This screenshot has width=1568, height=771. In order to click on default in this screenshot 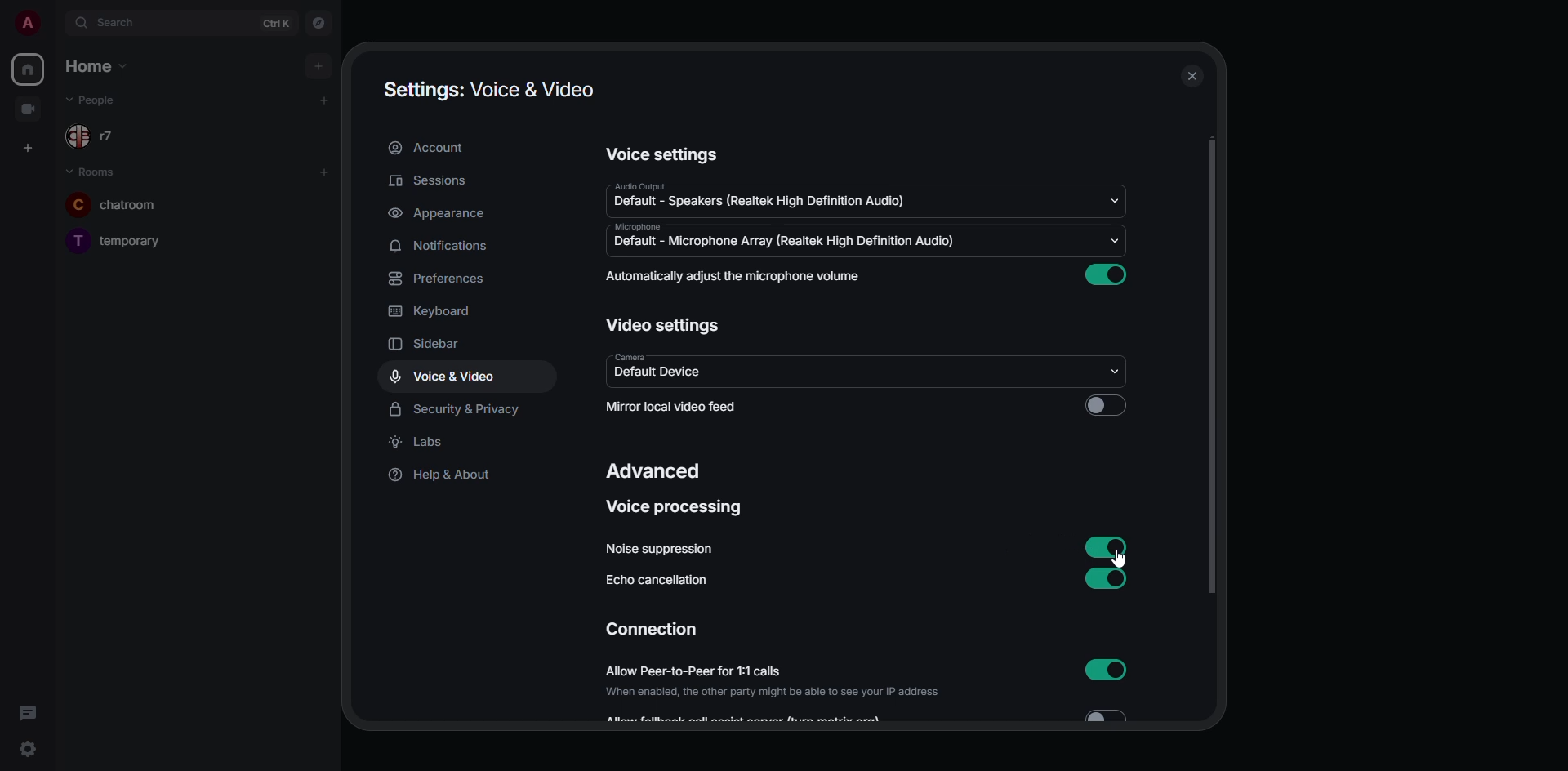, I will do `click(784, 243)`.